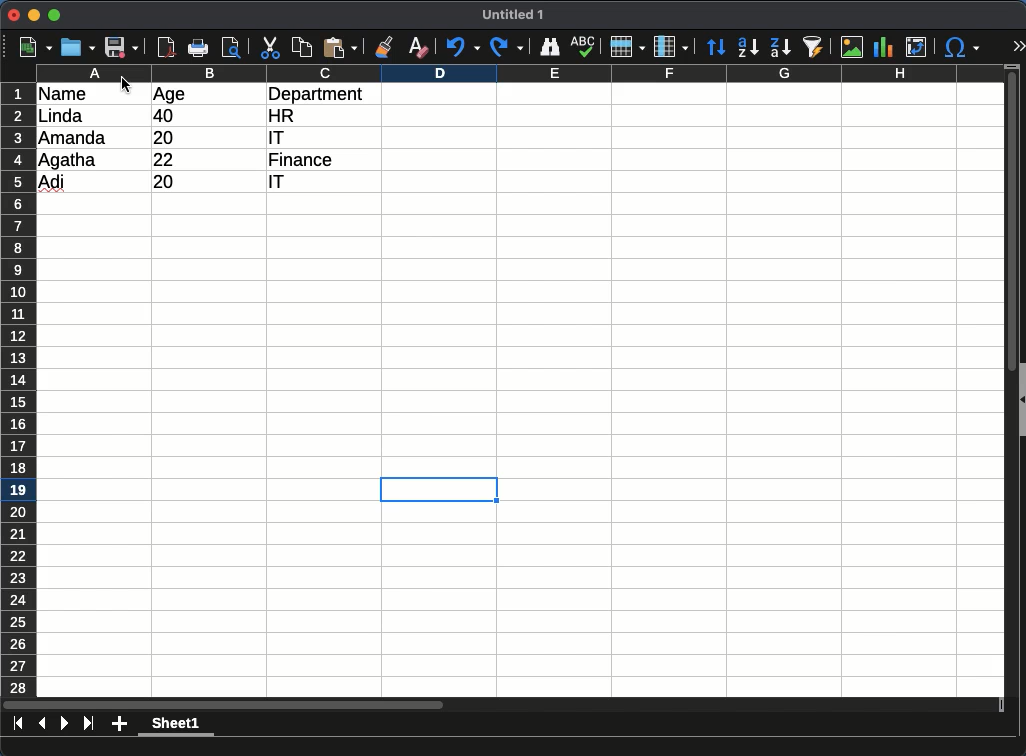  I want to click on columns, so click(671, 45).